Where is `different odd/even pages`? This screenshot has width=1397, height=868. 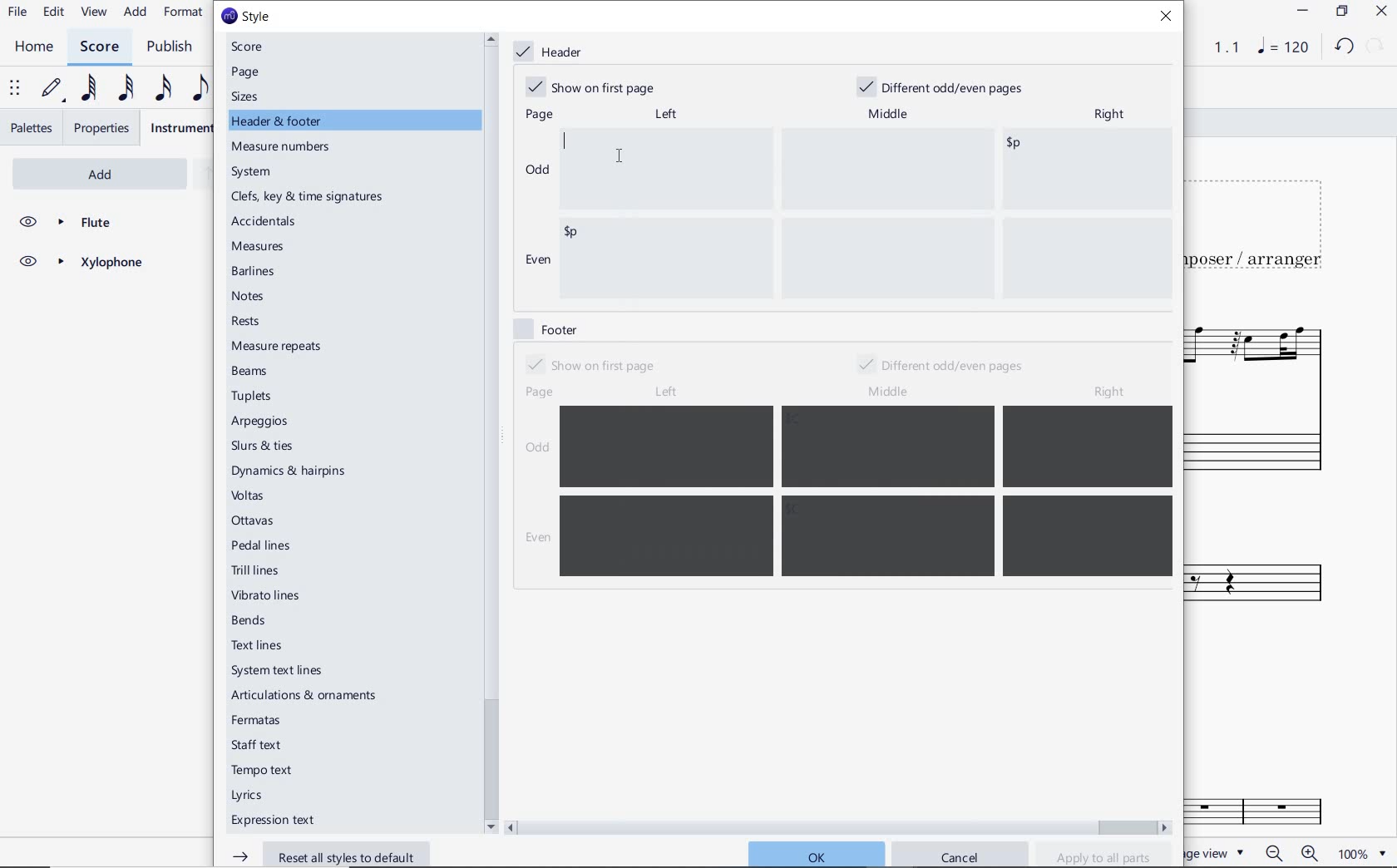 different odd/even pages is located at coordinates (946, 85).